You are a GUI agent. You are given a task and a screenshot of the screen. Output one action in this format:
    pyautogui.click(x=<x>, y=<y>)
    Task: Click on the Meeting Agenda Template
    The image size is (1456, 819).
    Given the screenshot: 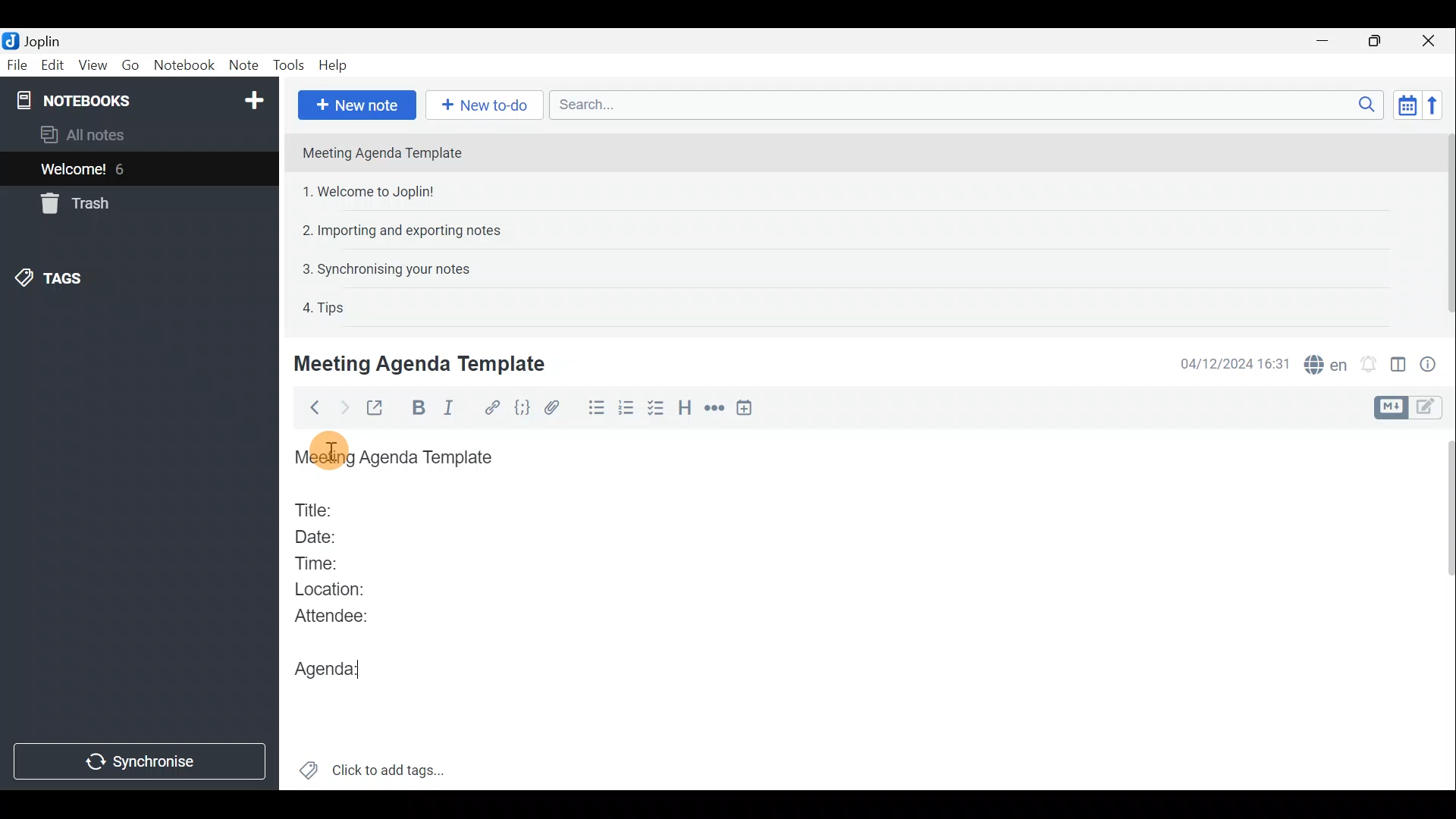 What is the action you would take?
    pyautogui.click(x=384, y=152)
    